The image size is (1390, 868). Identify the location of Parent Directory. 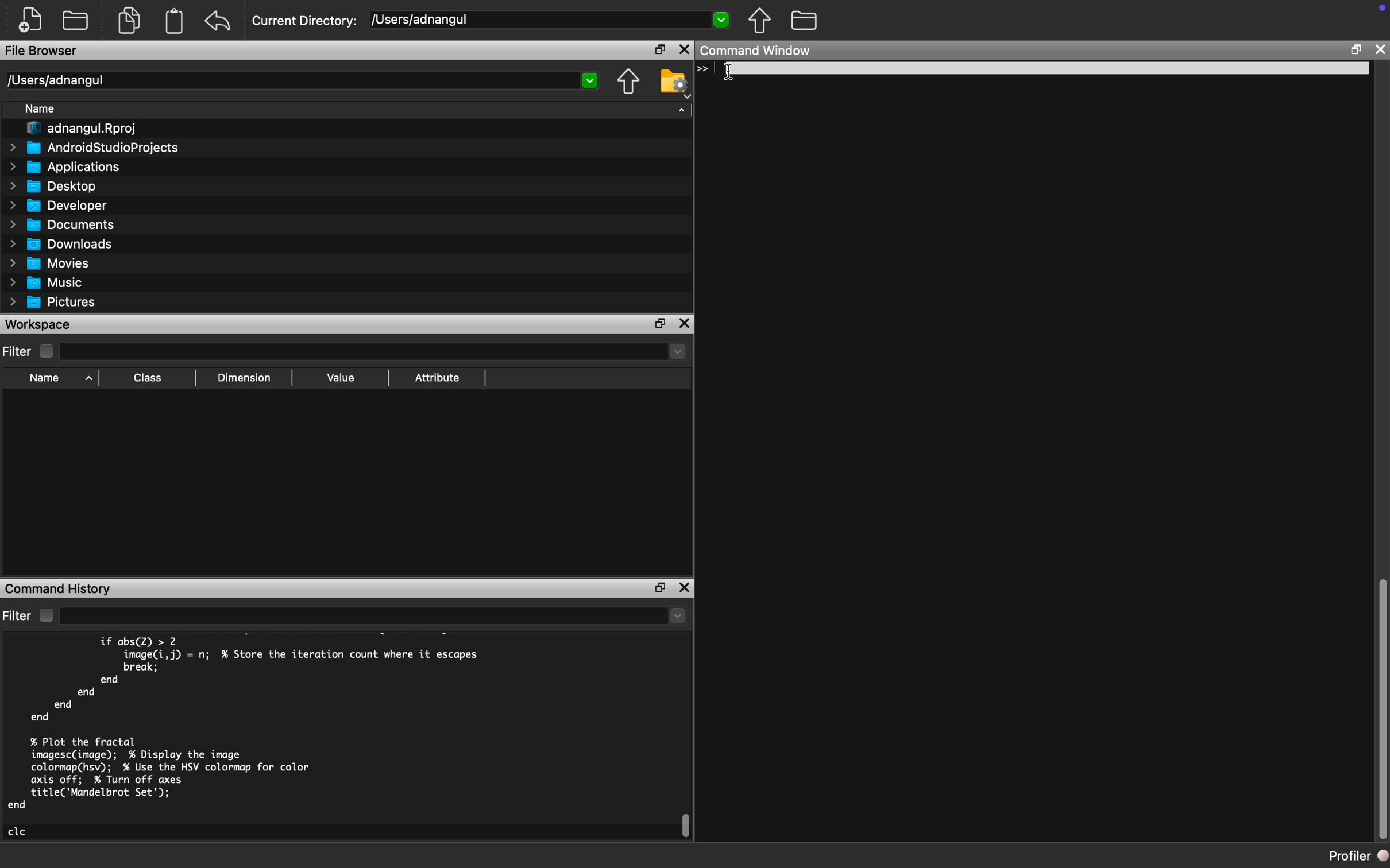
(761, 22).